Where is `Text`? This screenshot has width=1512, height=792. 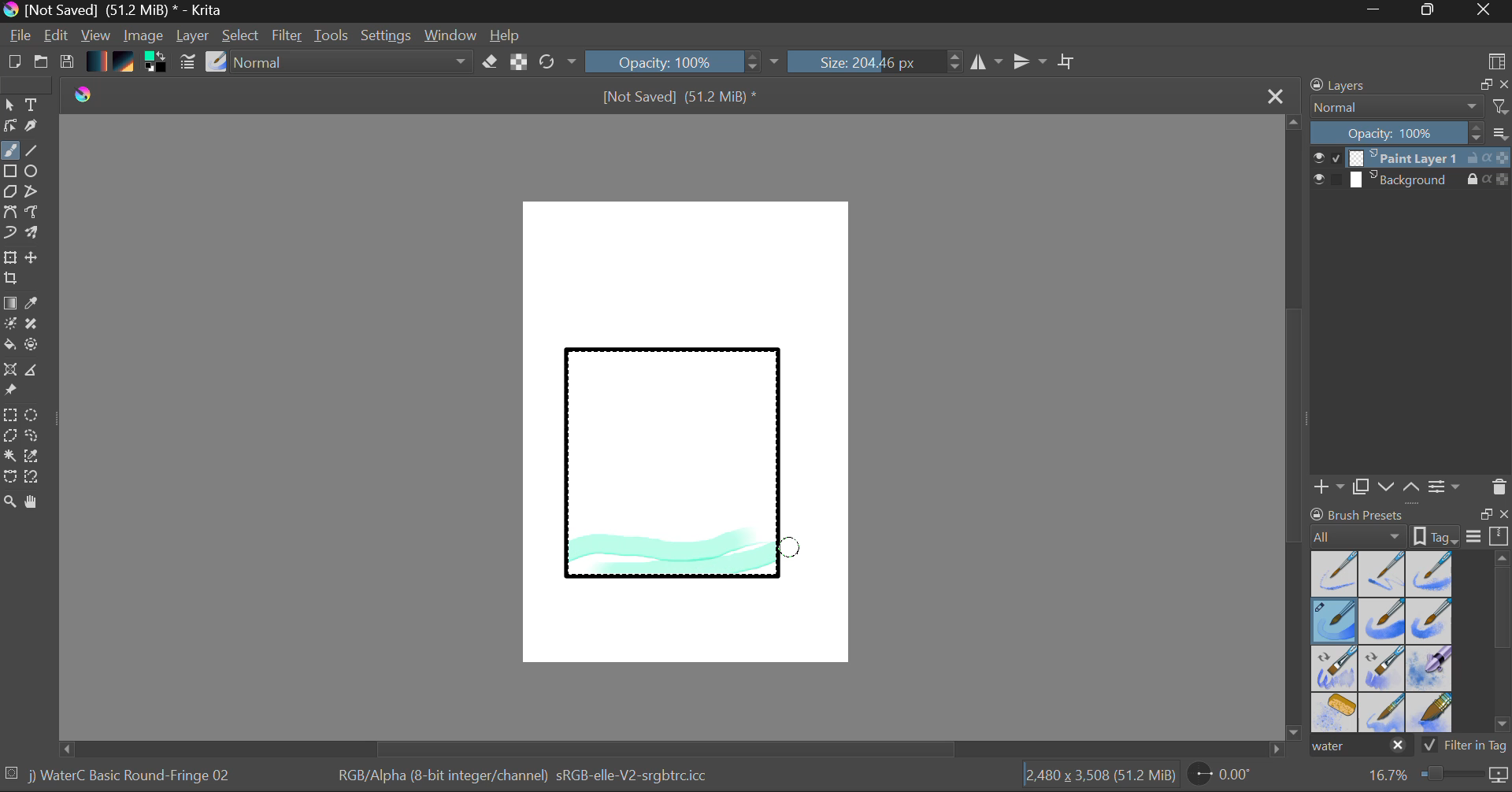 Text is located at coordinates (32, 103).